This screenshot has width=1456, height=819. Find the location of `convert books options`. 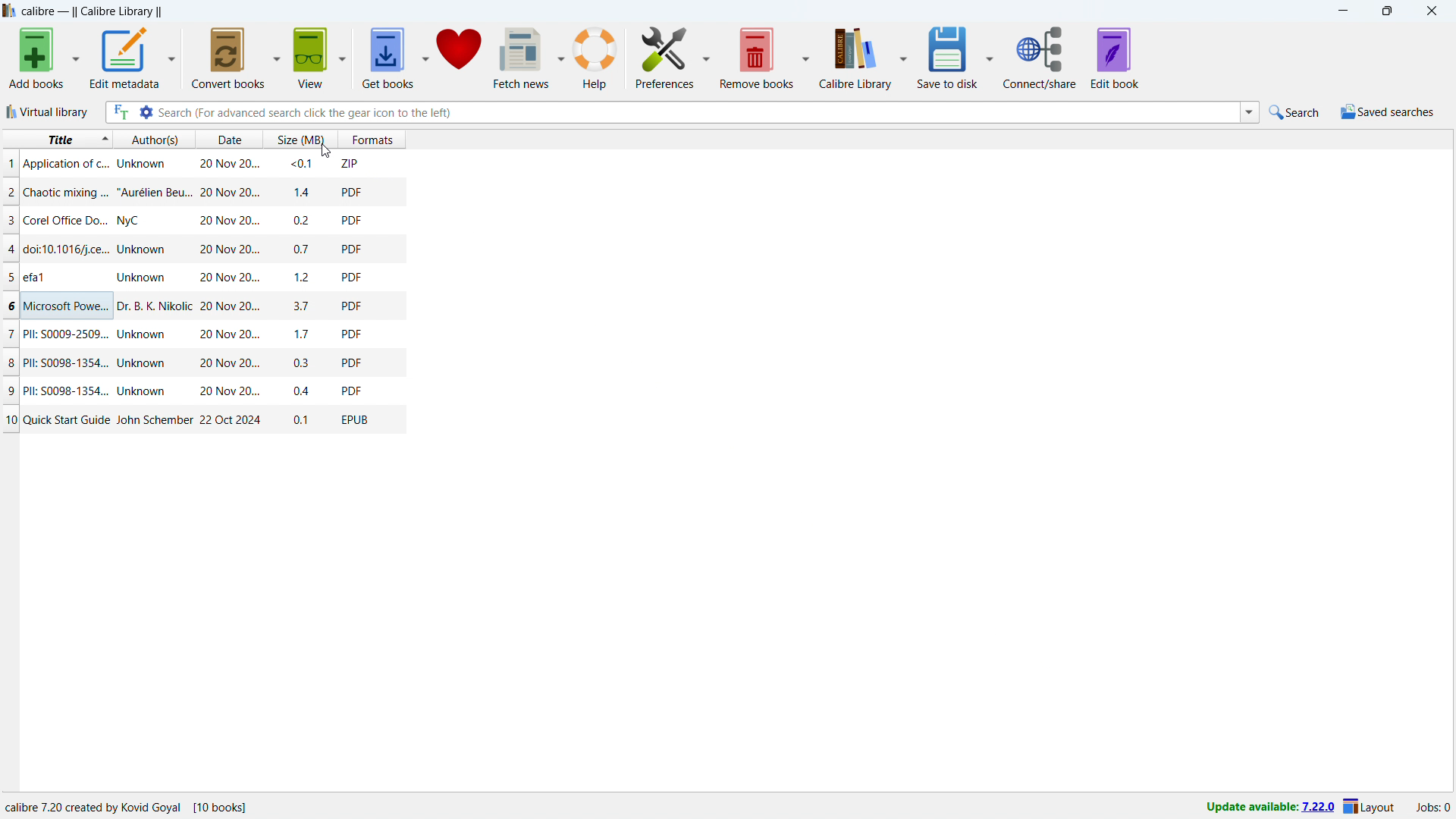

convert books options is located at coordinates (278, 57).